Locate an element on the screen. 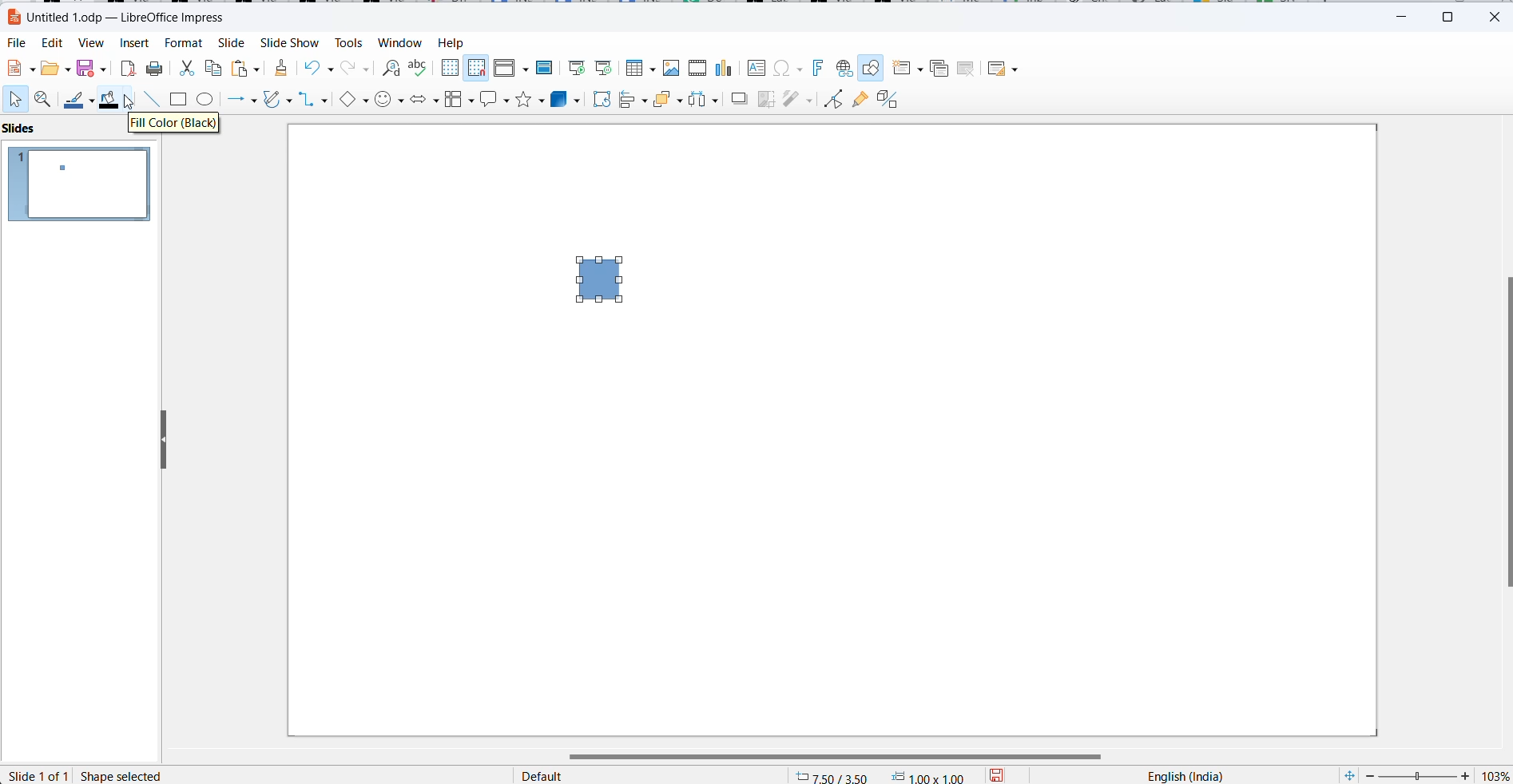  Display grid is located at coordinates (450, 66).